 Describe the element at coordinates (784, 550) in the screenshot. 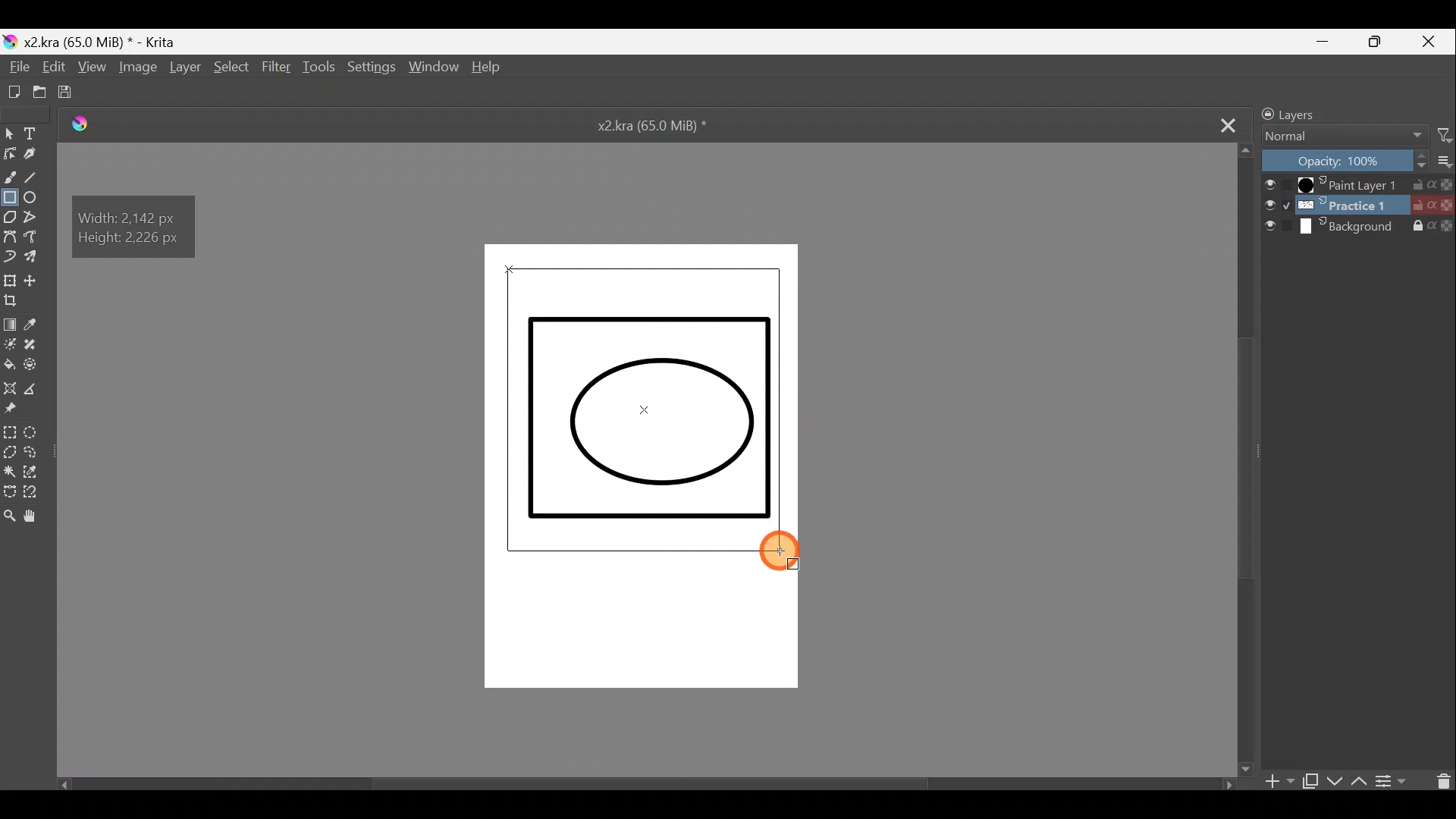

I see `Cursor` at that location.